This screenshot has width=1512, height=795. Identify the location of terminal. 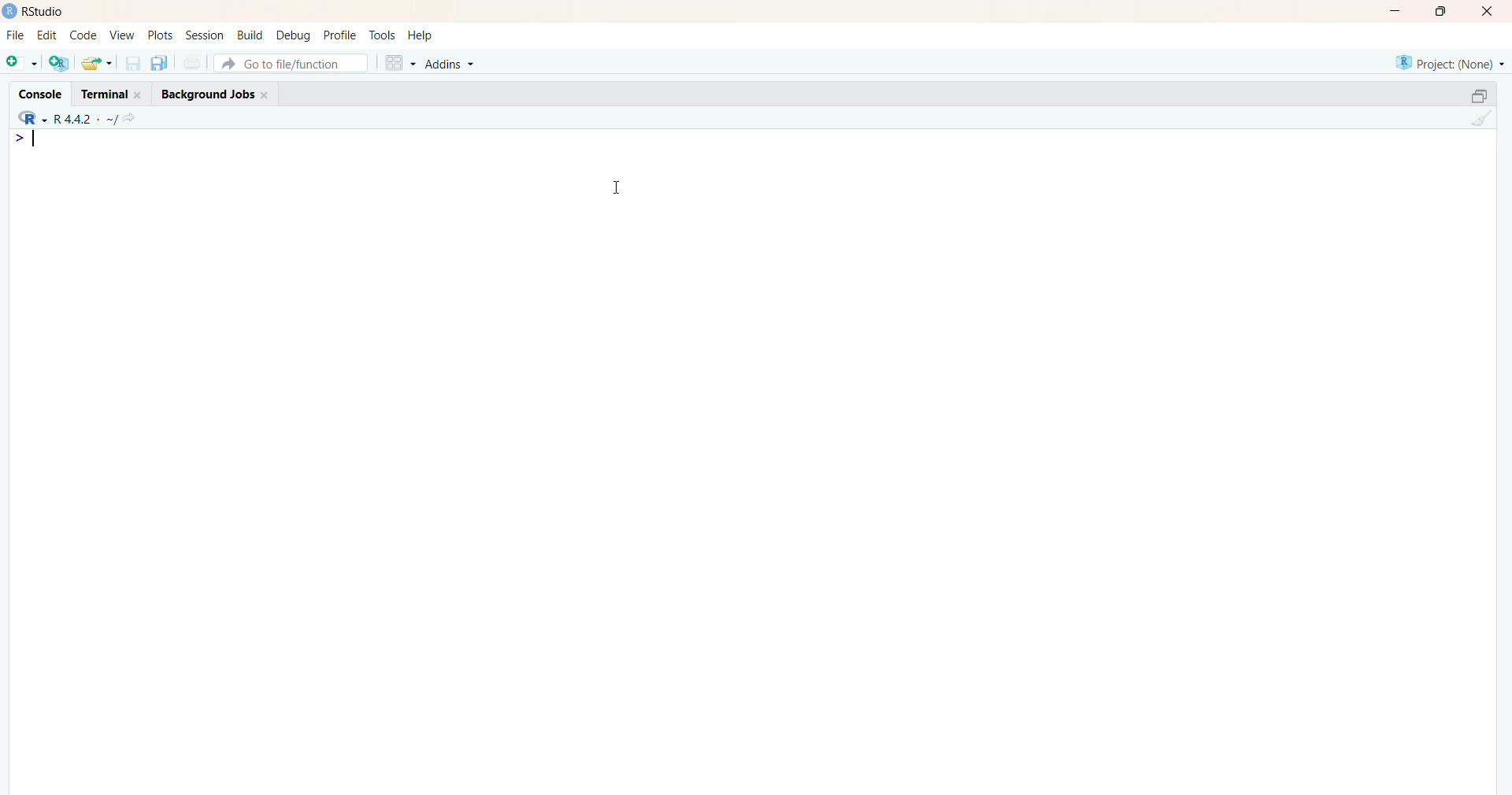
(111, 93).